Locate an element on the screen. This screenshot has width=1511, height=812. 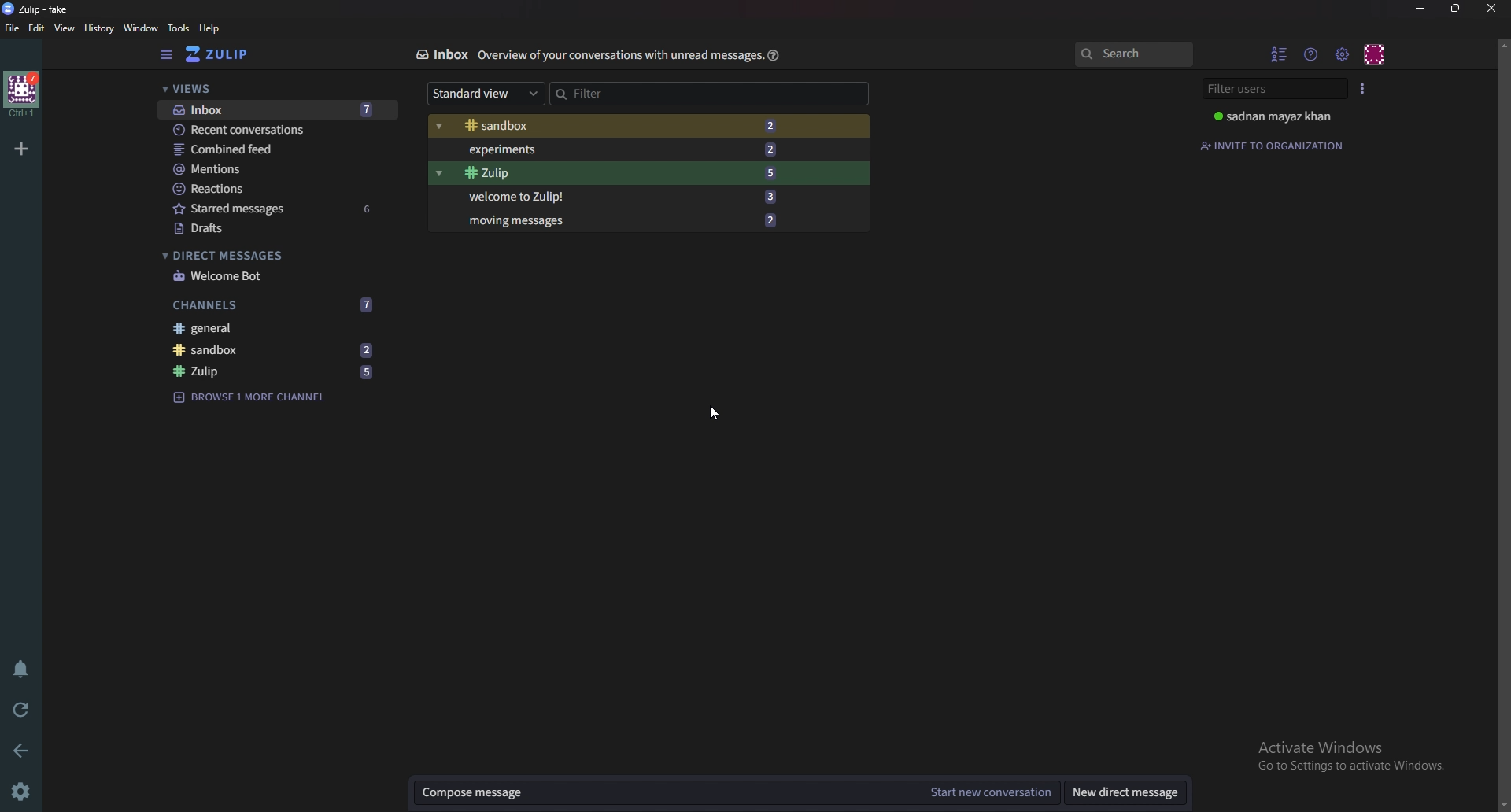
Info is located at coordinates (616, 56).